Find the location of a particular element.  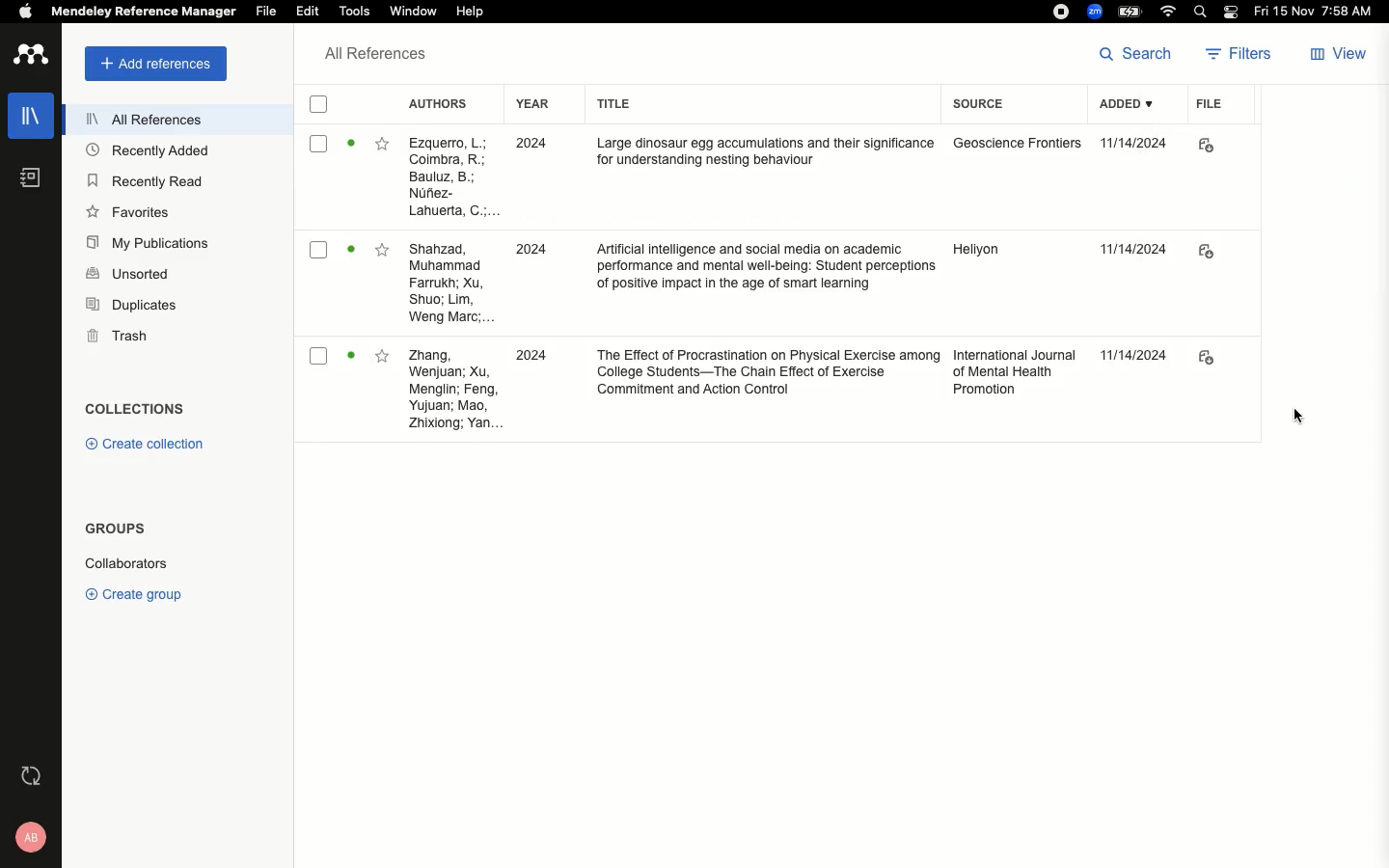

Favorites is located at coordinates (129, 211).